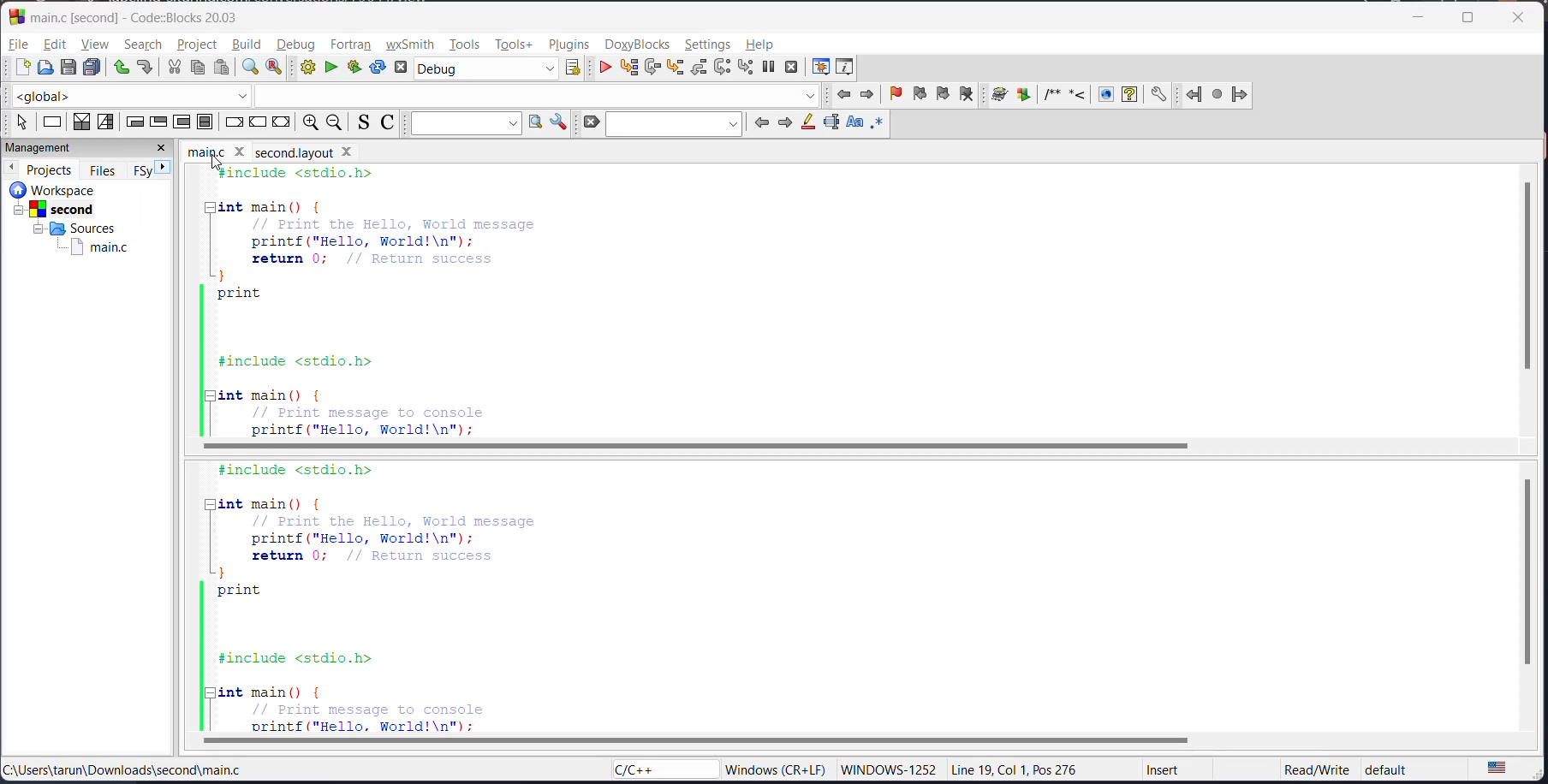 The height and width of the screenshot is (784, 1548). Describe the element at coordinates (21, 68) in the screenshot. I see `new` at that location.